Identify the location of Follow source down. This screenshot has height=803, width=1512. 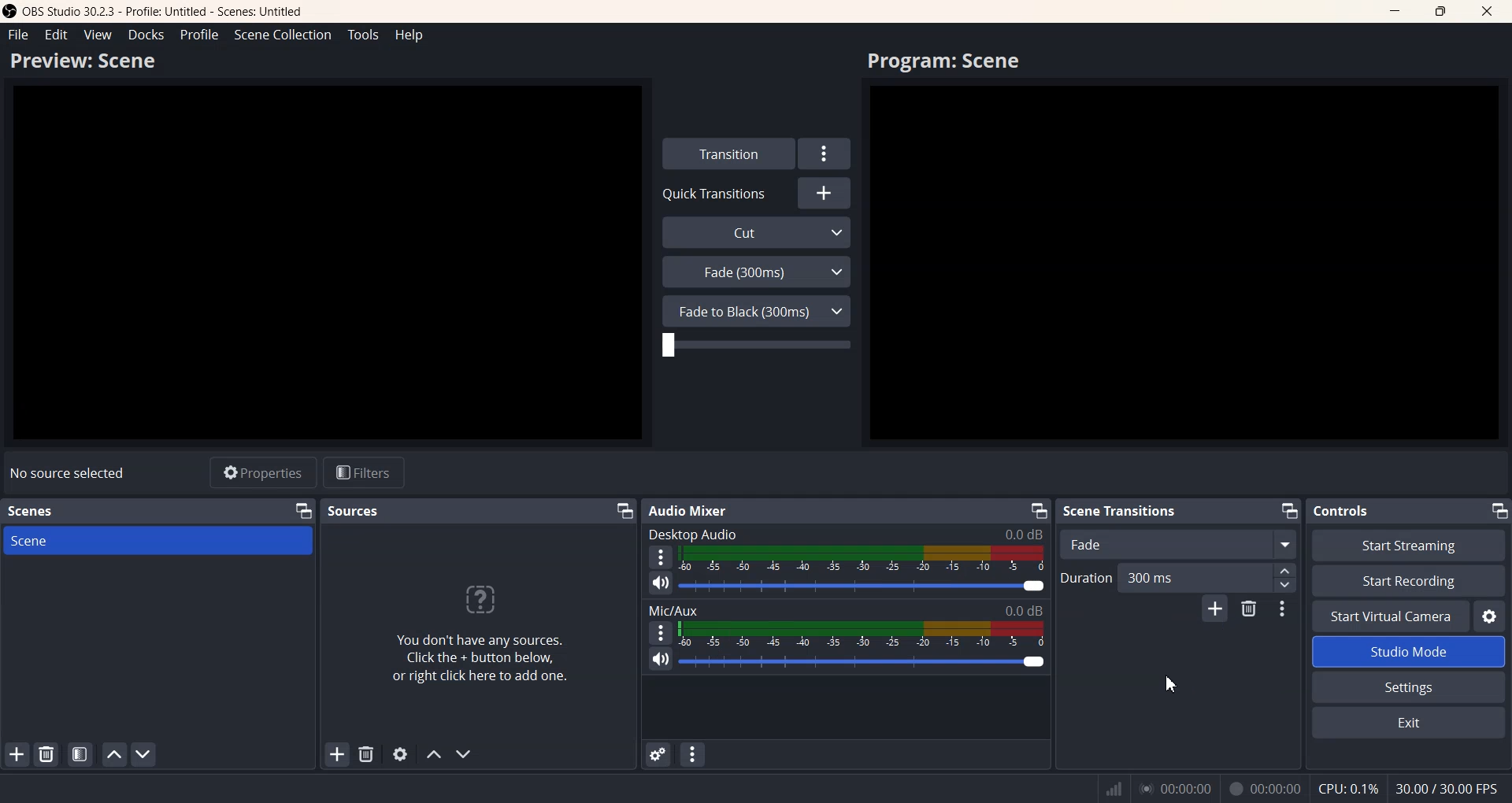
(469, 753).